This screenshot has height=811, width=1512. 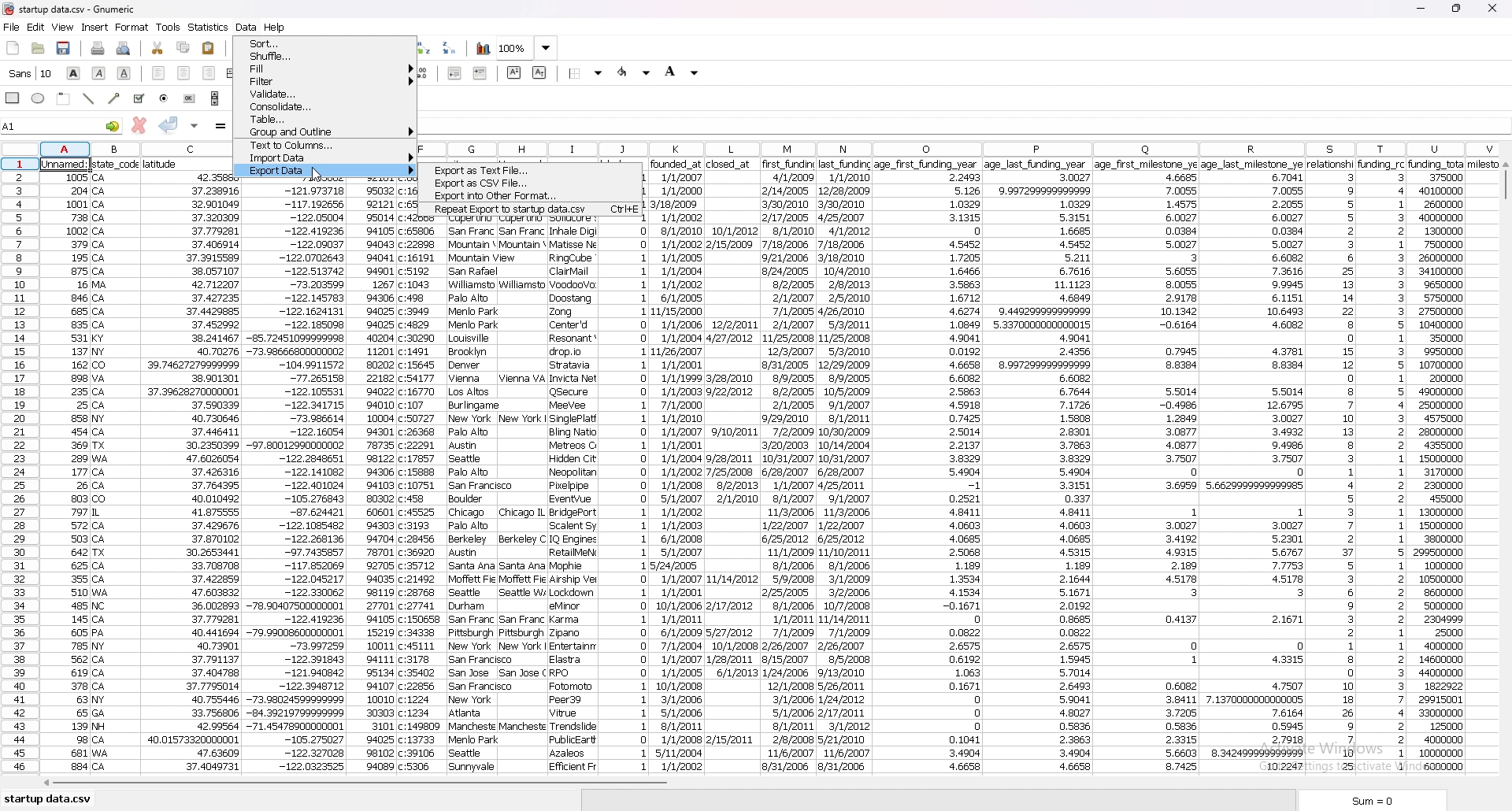 I want to click on scroll bar, so click(x=215, y=98).